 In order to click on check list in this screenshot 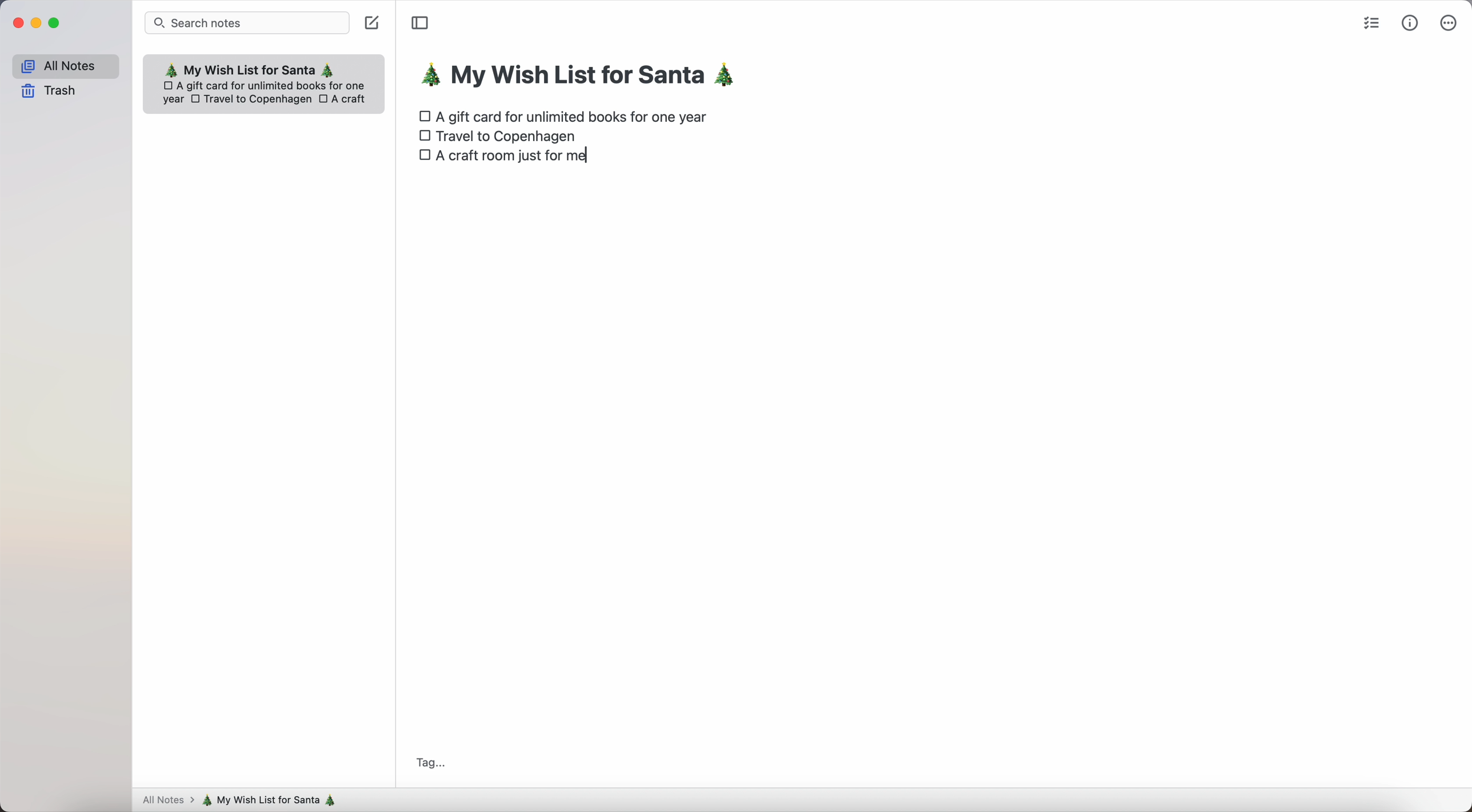, I will do `click(1373, 24)`.